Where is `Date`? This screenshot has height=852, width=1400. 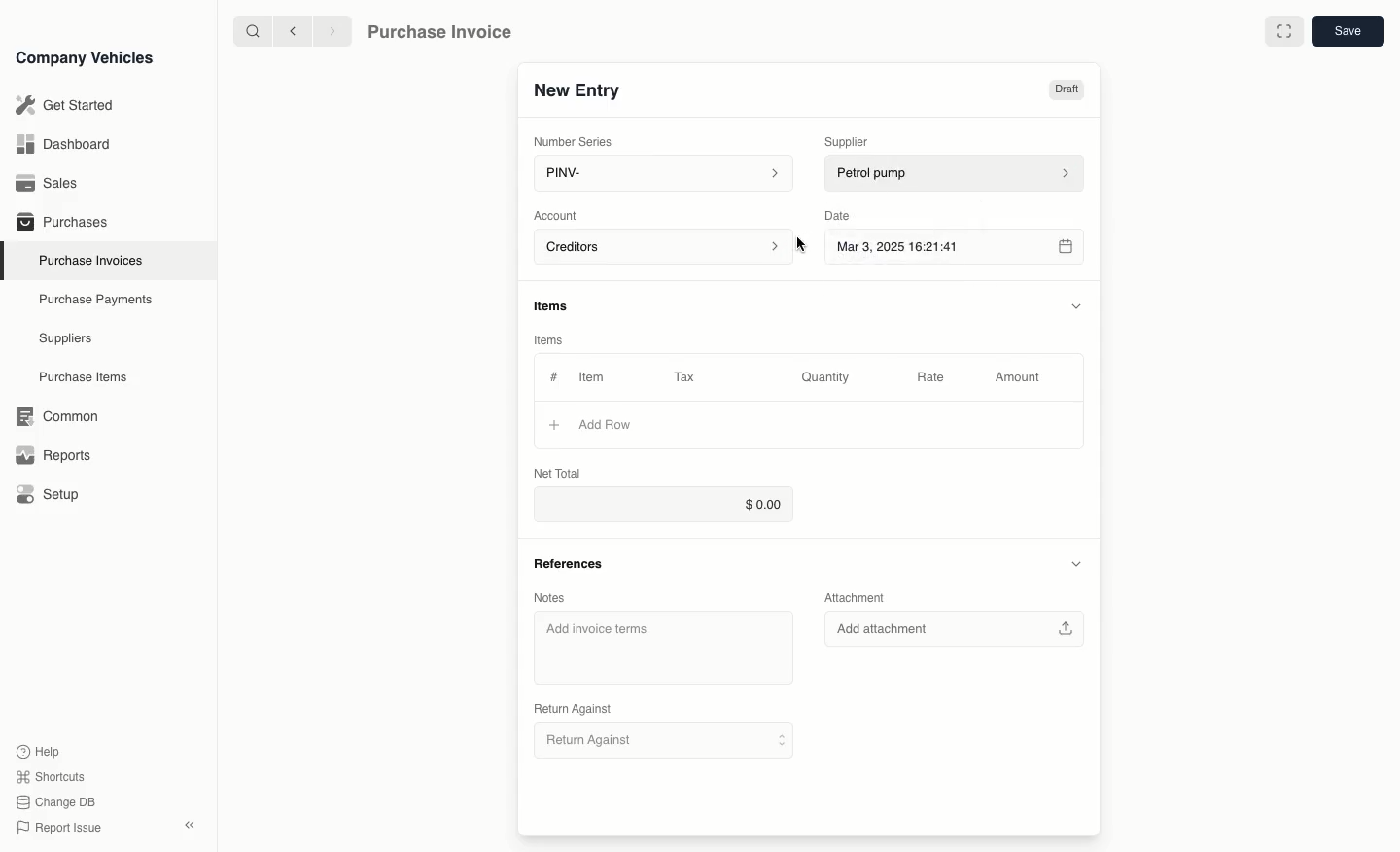 Date is located at coordinates (838, 216).